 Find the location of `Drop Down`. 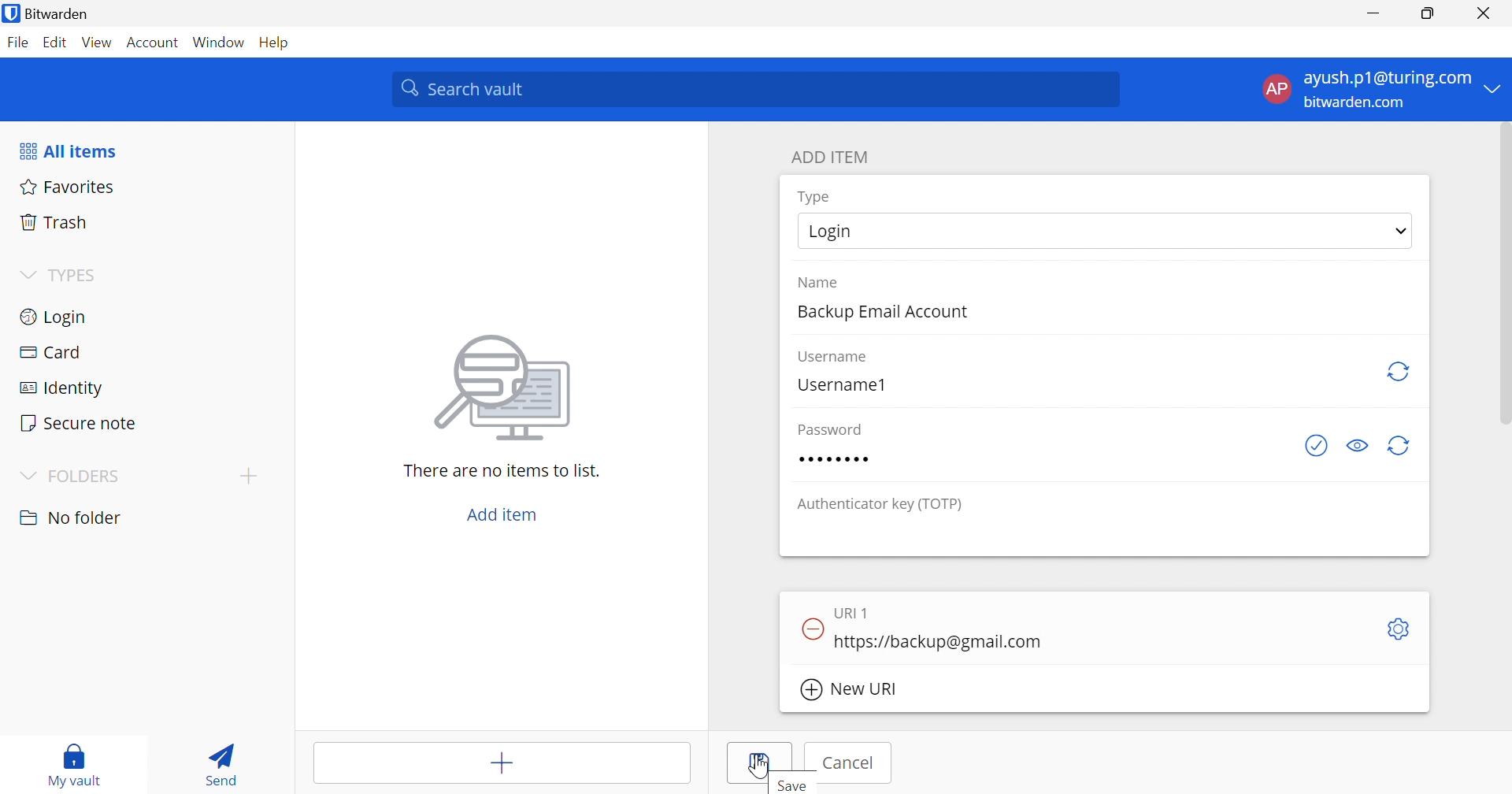

Drop Down is located at coordinates (1497, 89).